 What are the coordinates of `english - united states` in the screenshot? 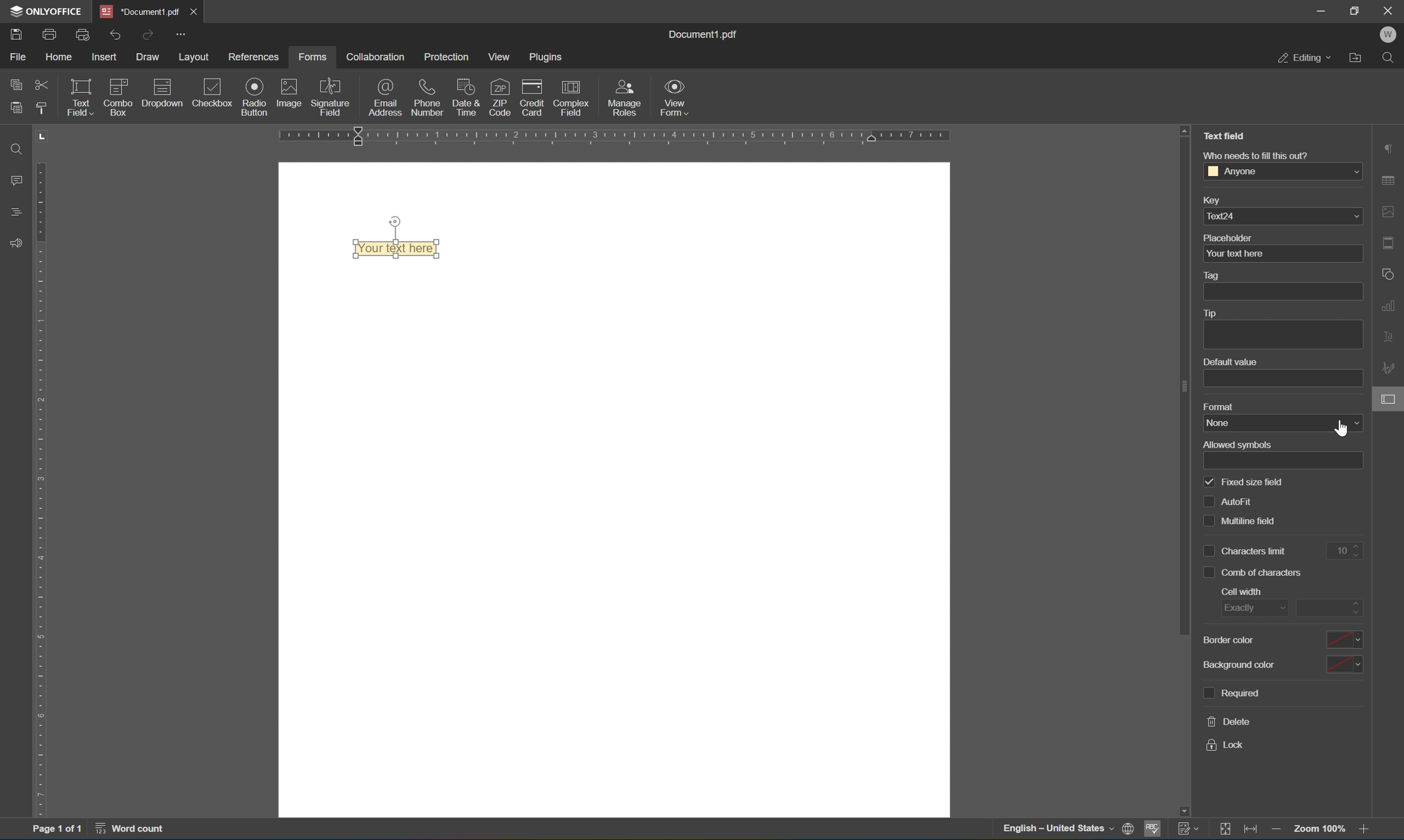 It's located at (1060, 830).